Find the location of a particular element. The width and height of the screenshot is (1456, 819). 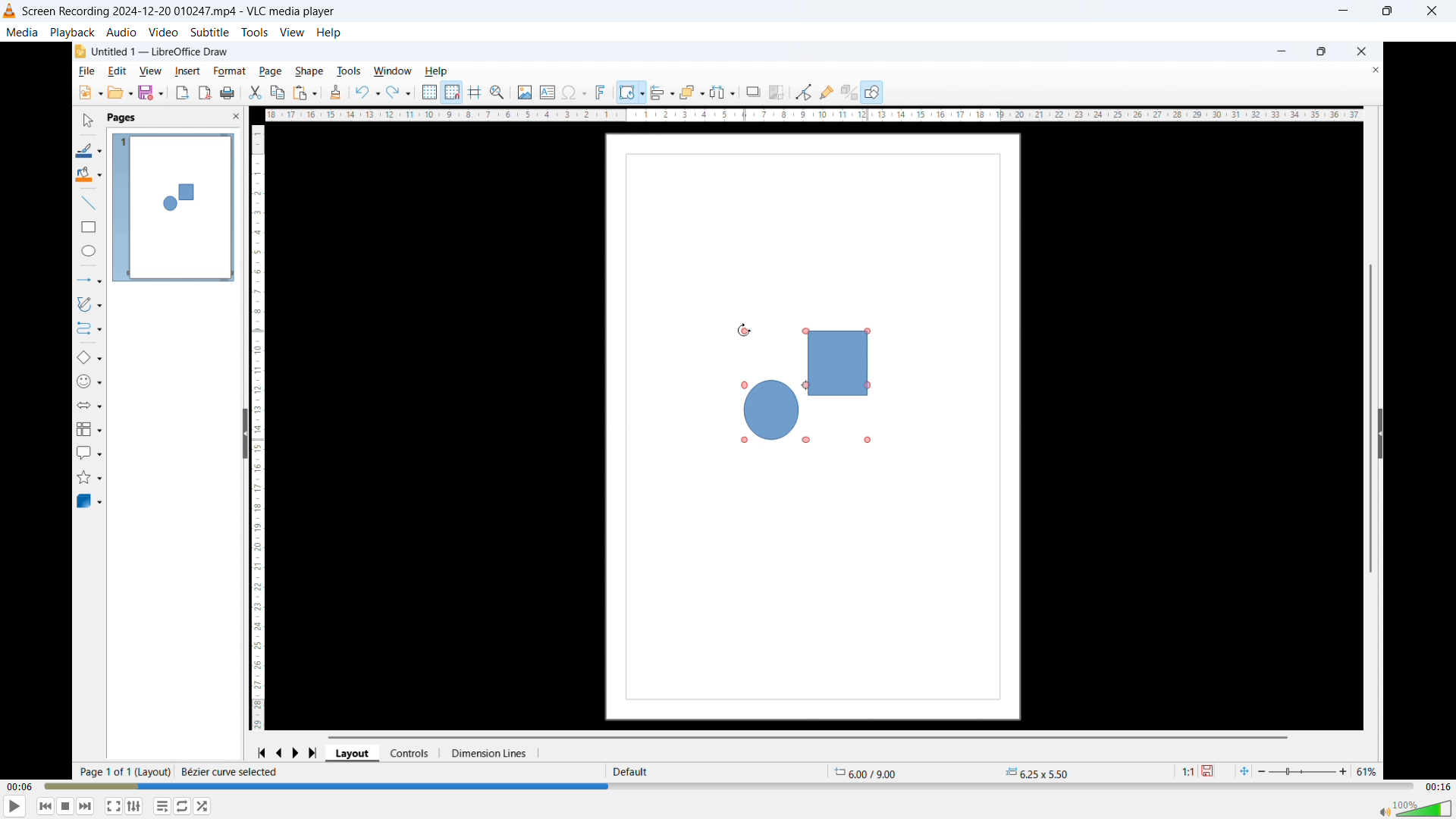

Subtitle  is located at coordinates (209, 32).